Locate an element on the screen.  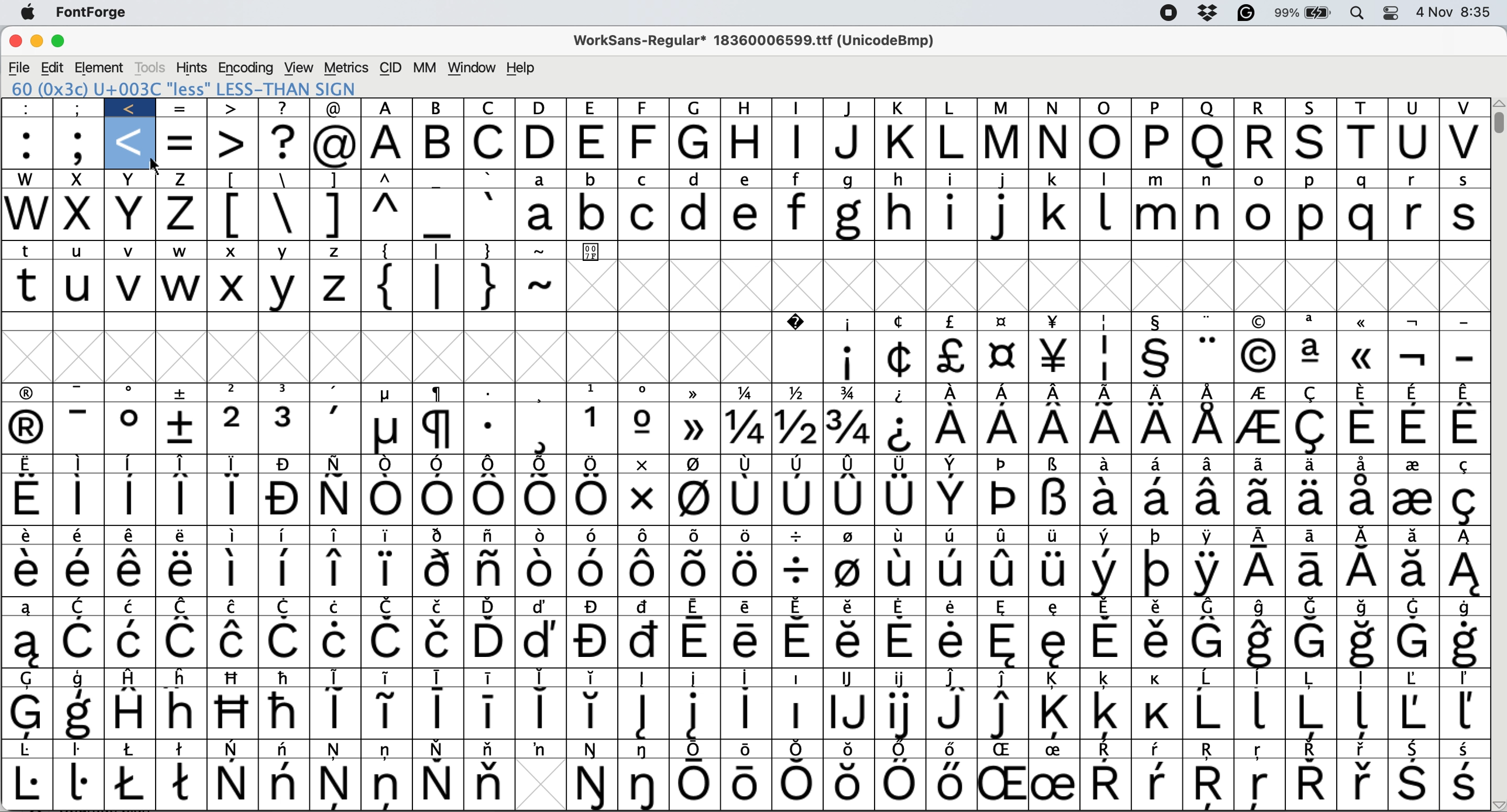
Z is located at coordinates (338, 287).